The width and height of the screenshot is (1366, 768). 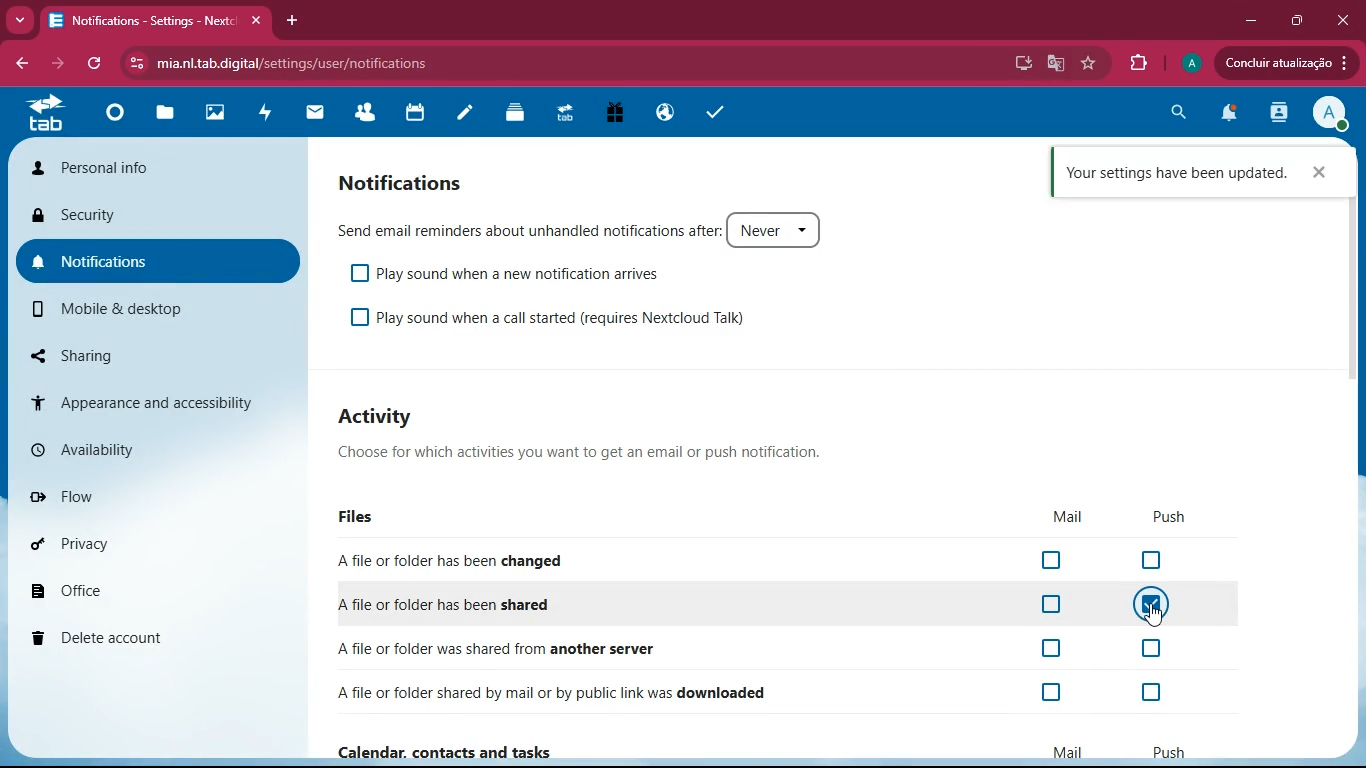 What do you see at coordinates (1154, 651) in the screenshot?
I see `off` at bounding box center [1154, 651].